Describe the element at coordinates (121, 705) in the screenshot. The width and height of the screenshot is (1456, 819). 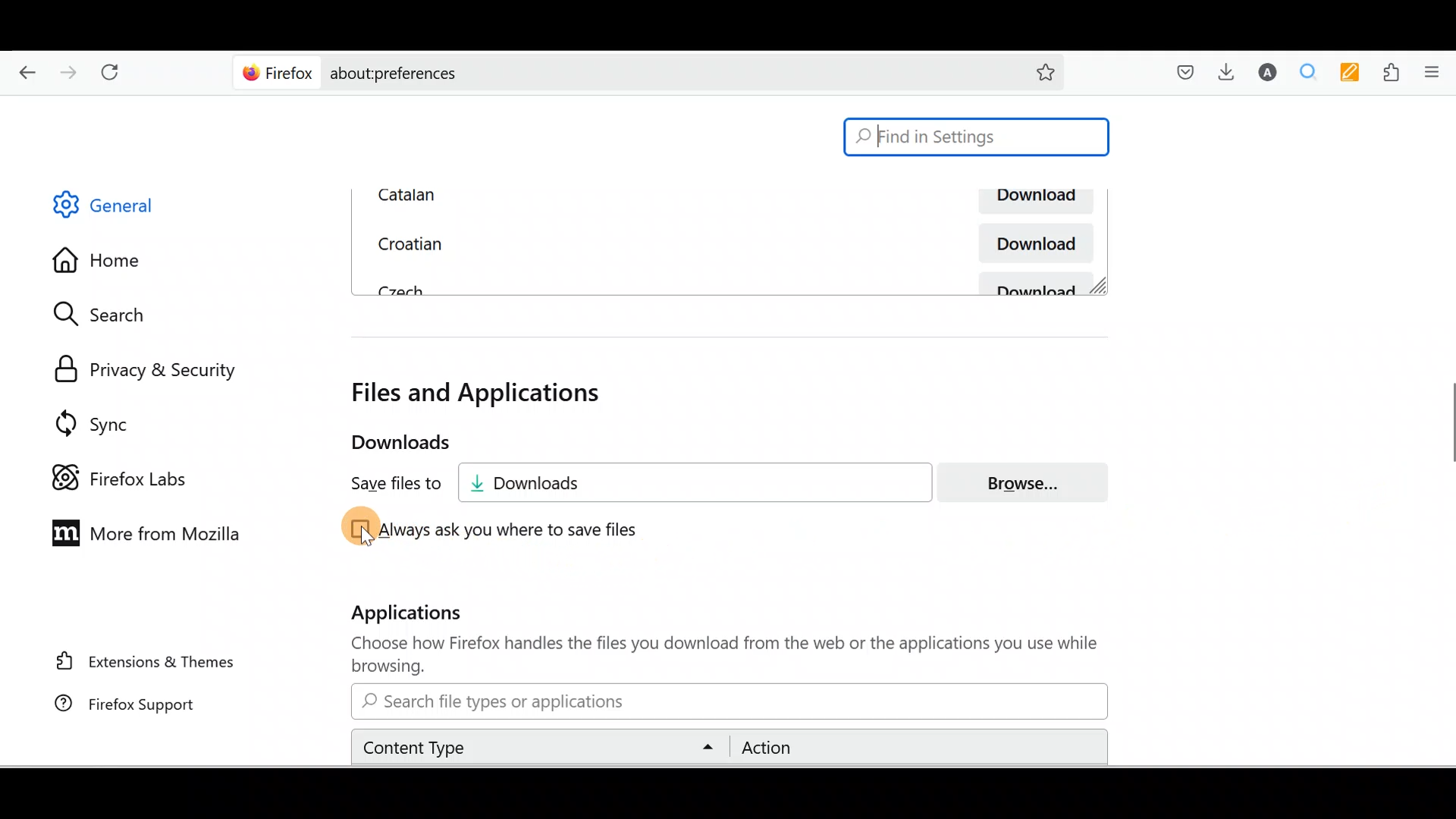
I see `Firefox support` at that location.